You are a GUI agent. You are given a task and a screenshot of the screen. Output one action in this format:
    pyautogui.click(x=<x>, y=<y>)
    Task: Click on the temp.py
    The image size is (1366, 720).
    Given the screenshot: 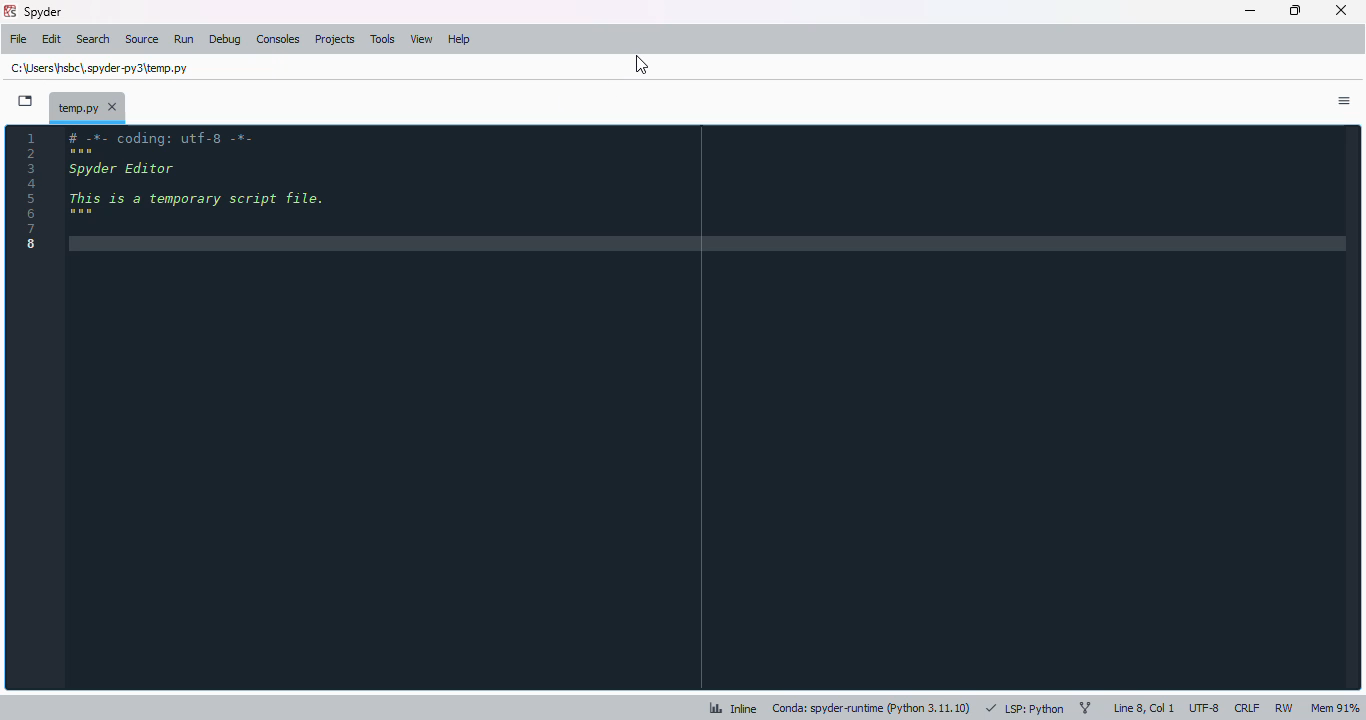 What is the action you would take?
    pyautogui.click(x=87, y=107)
    